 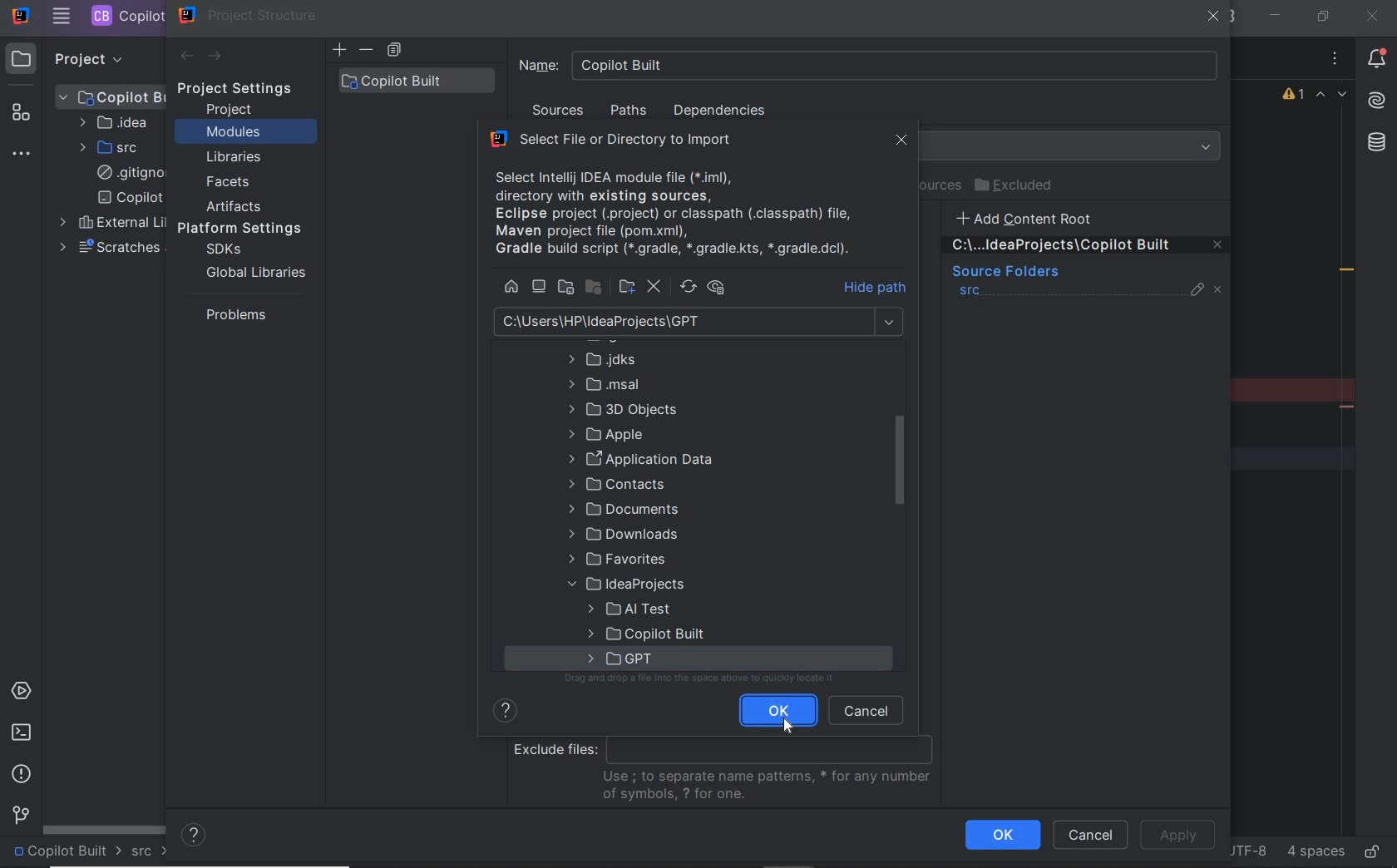 I want to click on drag or drop files, so click(x=703, y=680).